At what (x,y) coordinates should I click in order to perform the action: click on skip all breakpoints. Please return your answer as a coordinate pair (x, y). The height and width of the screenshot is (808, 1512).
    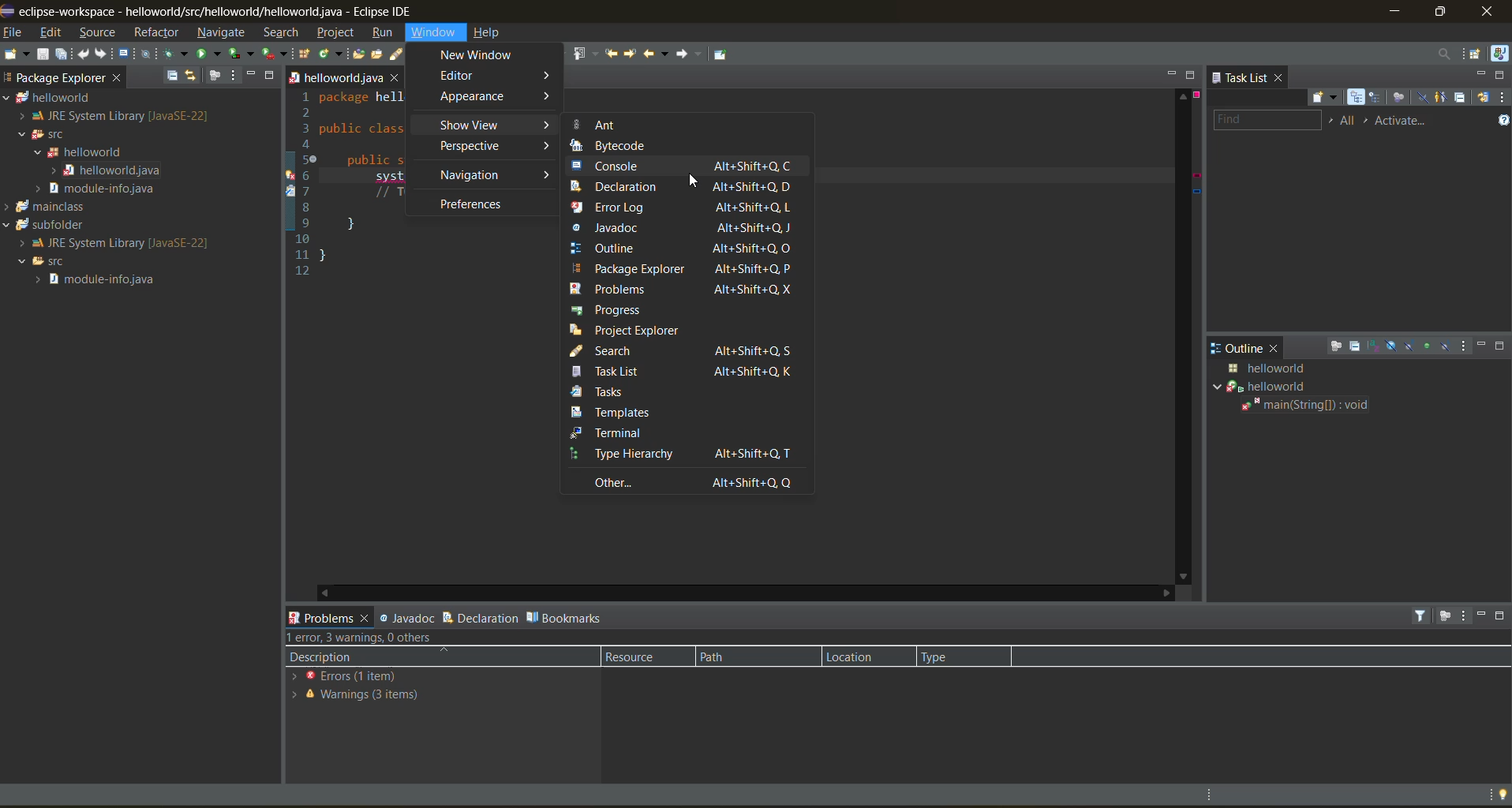
    Looking at the image, I should click on (148, 54).